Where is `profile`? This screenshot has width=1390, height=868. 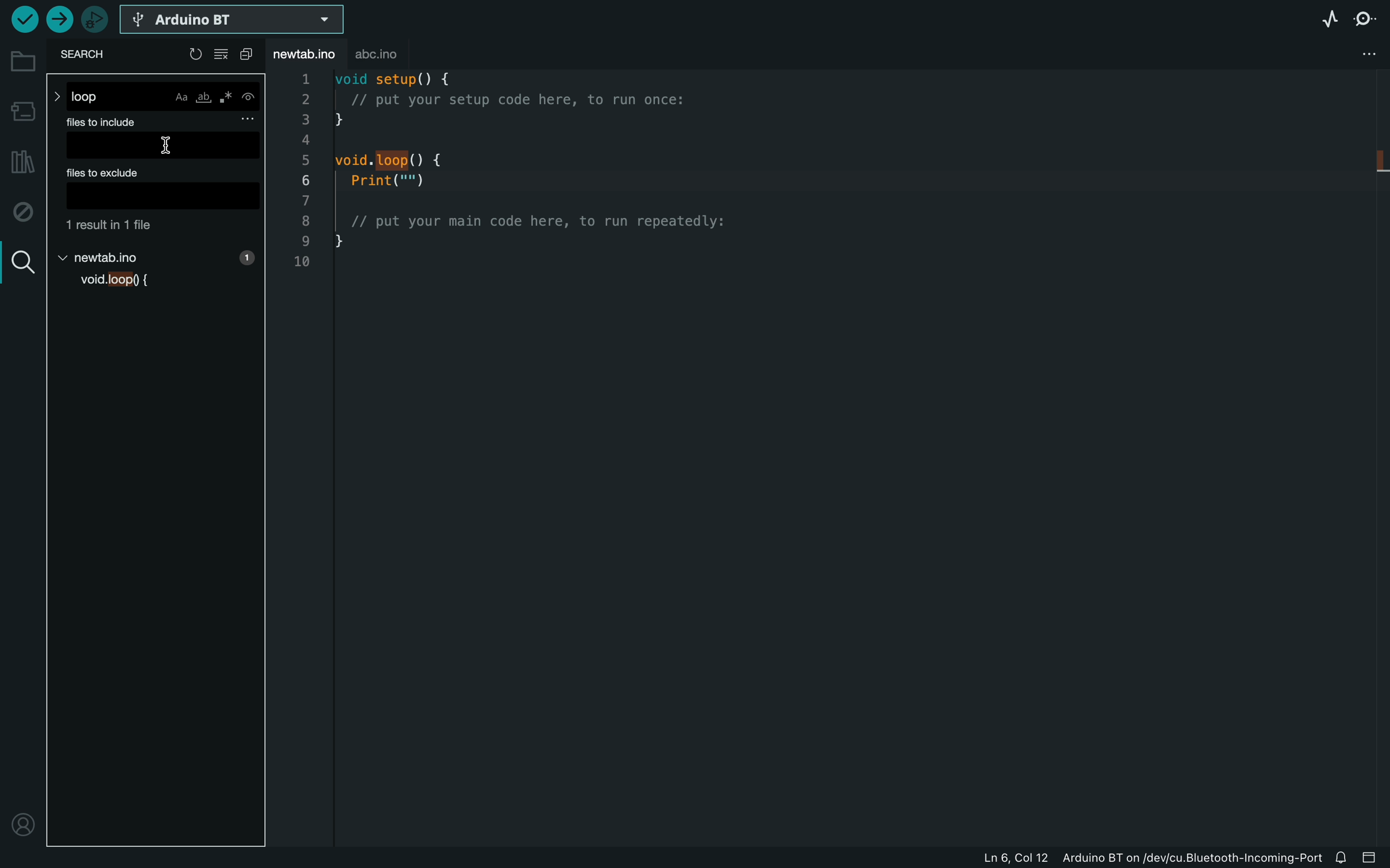 profile is located at coordinates (23, 818).